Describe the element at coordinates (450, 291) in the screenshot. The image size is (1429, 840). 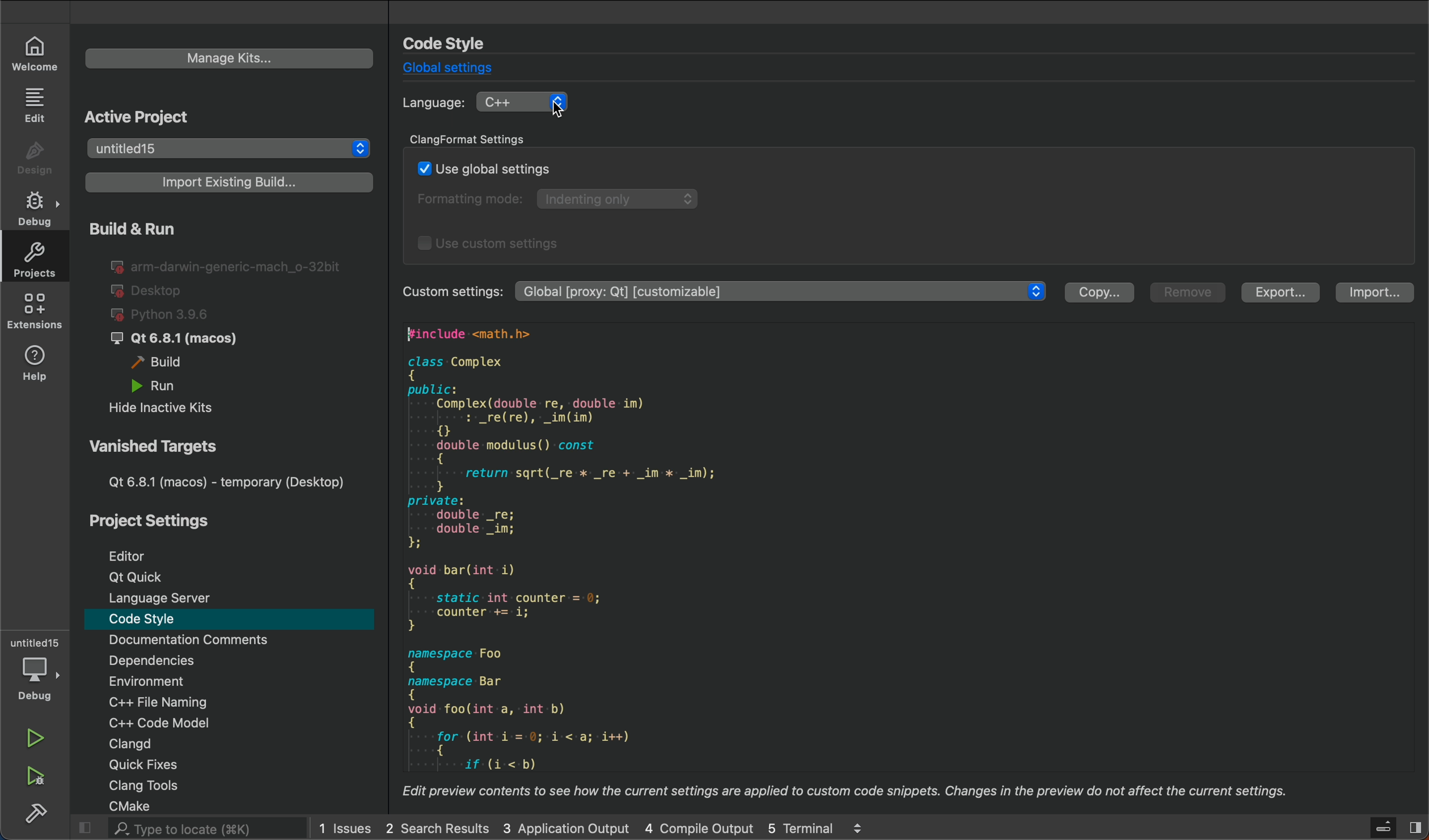
I see `custom settings` at that location.